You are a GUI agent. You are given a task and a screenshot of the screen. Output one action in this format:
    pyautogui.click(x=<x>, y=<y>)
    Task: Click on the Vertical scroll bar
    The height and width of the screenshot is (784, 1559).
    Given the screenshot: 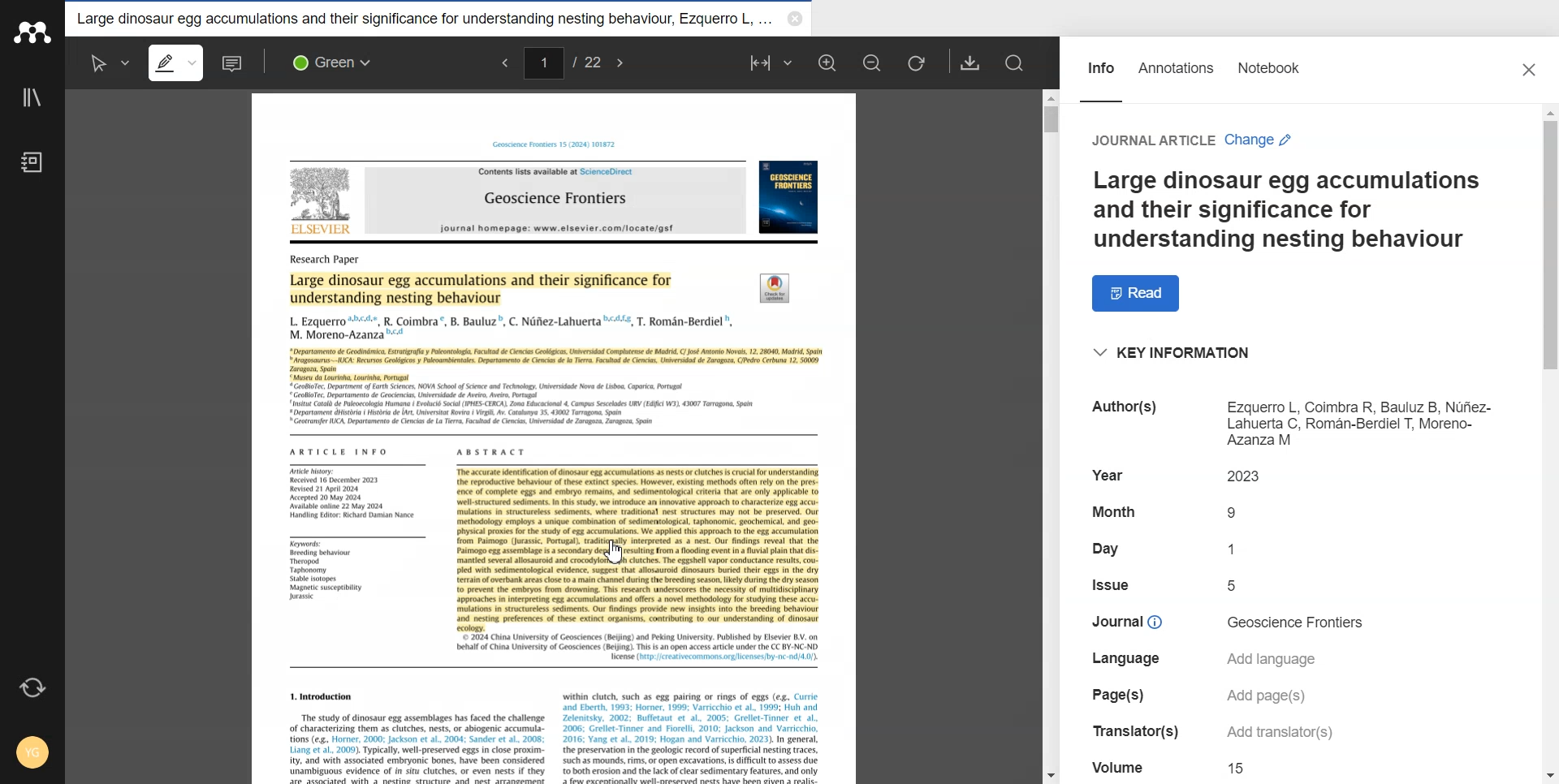 What is the action you would take?
    pyautogui.click(x=1053, y=432)
    